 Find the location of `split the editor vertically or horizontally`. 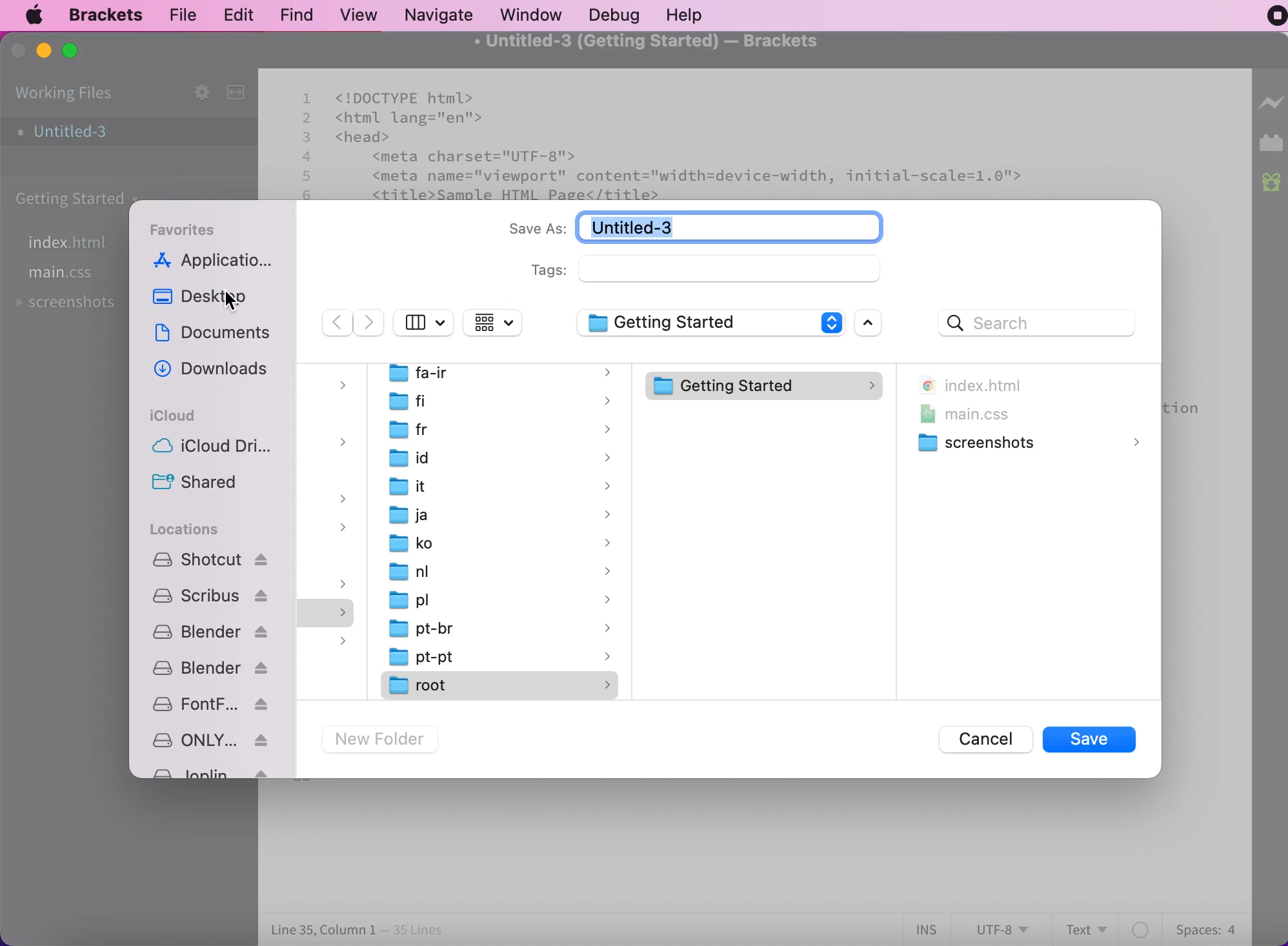

split the editor vertically or horizontally is located at coordinates (235, 92).